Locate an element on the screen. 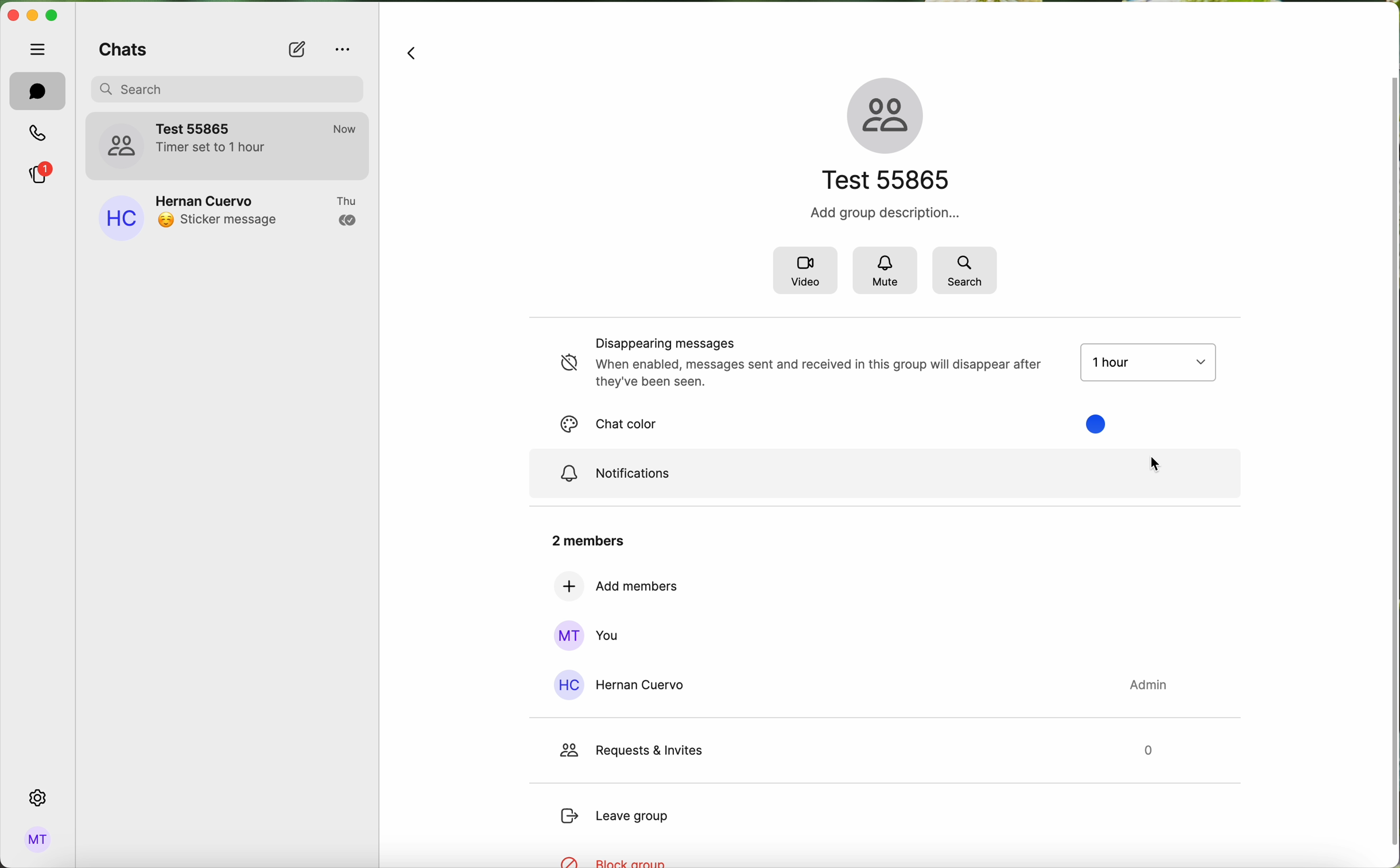 The width and height of the screenshot is (1400, 868). profile is located at coordinates (38, 841).